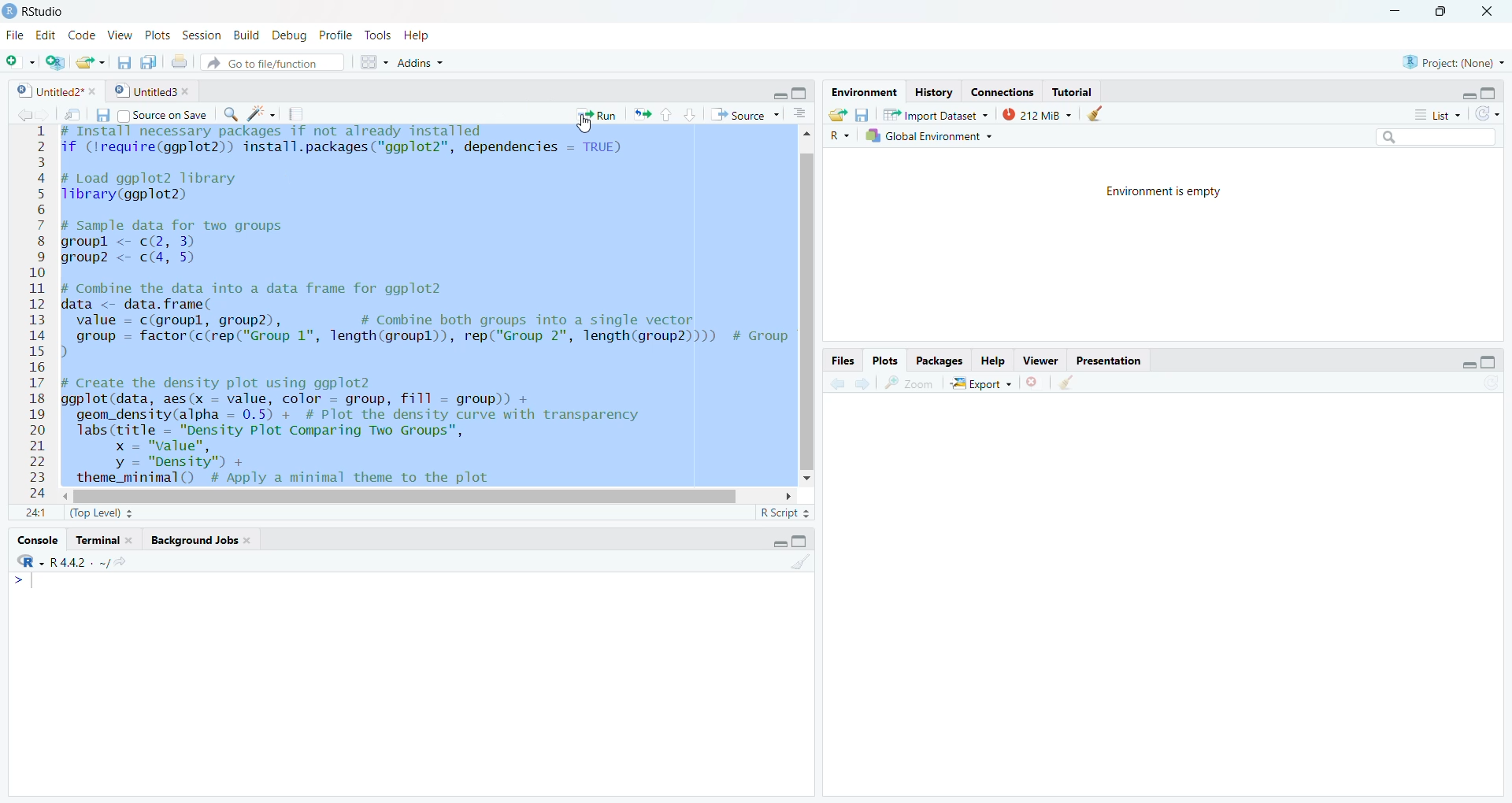 This screenshot has width=1512, height=803. Describe the element at coordinates (1396, 11) in the screenshot. I see `minimize` at that location.